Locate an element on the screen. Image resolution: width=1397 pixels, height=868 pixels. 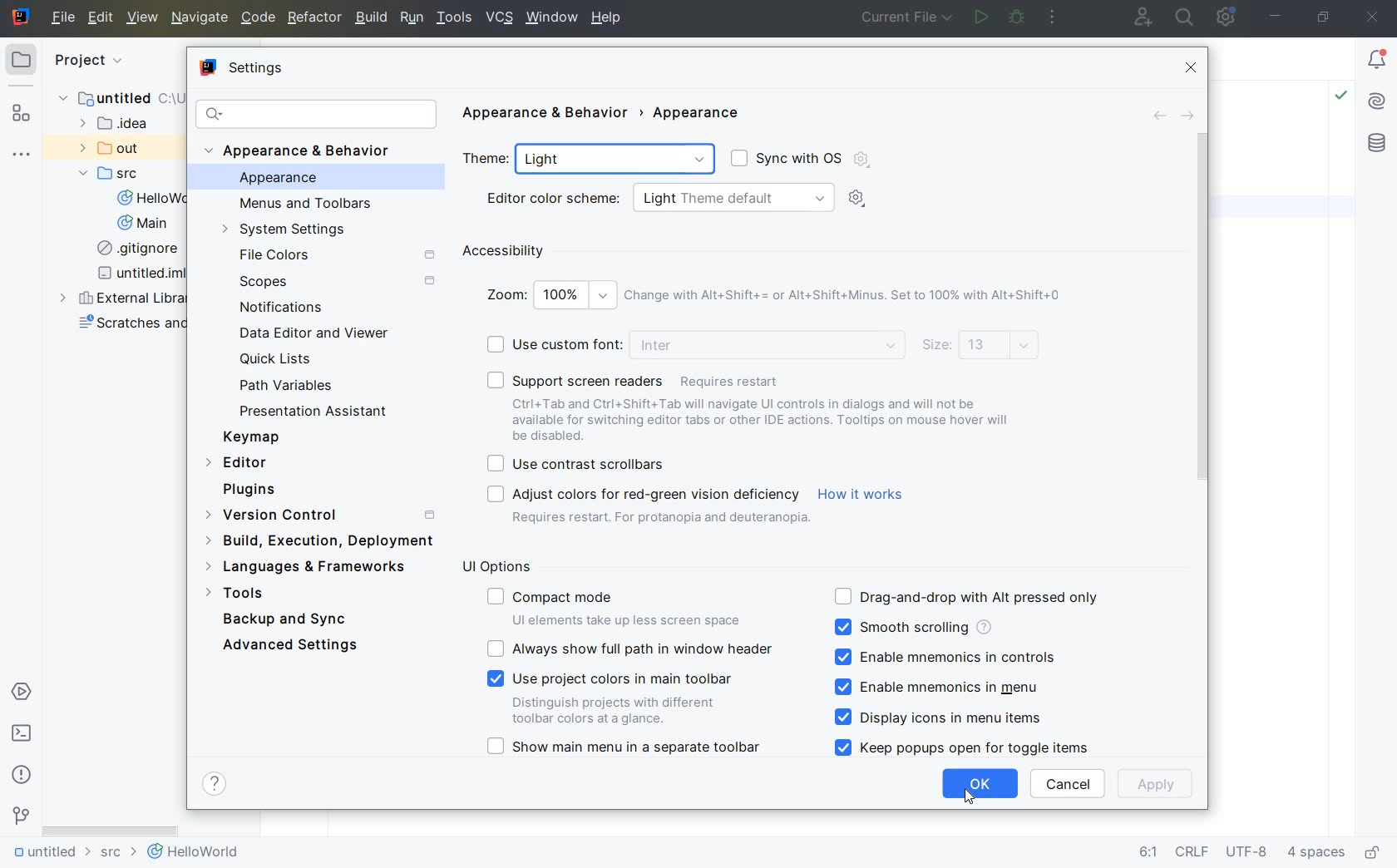
BUILD is located at coordinates (370, 17).